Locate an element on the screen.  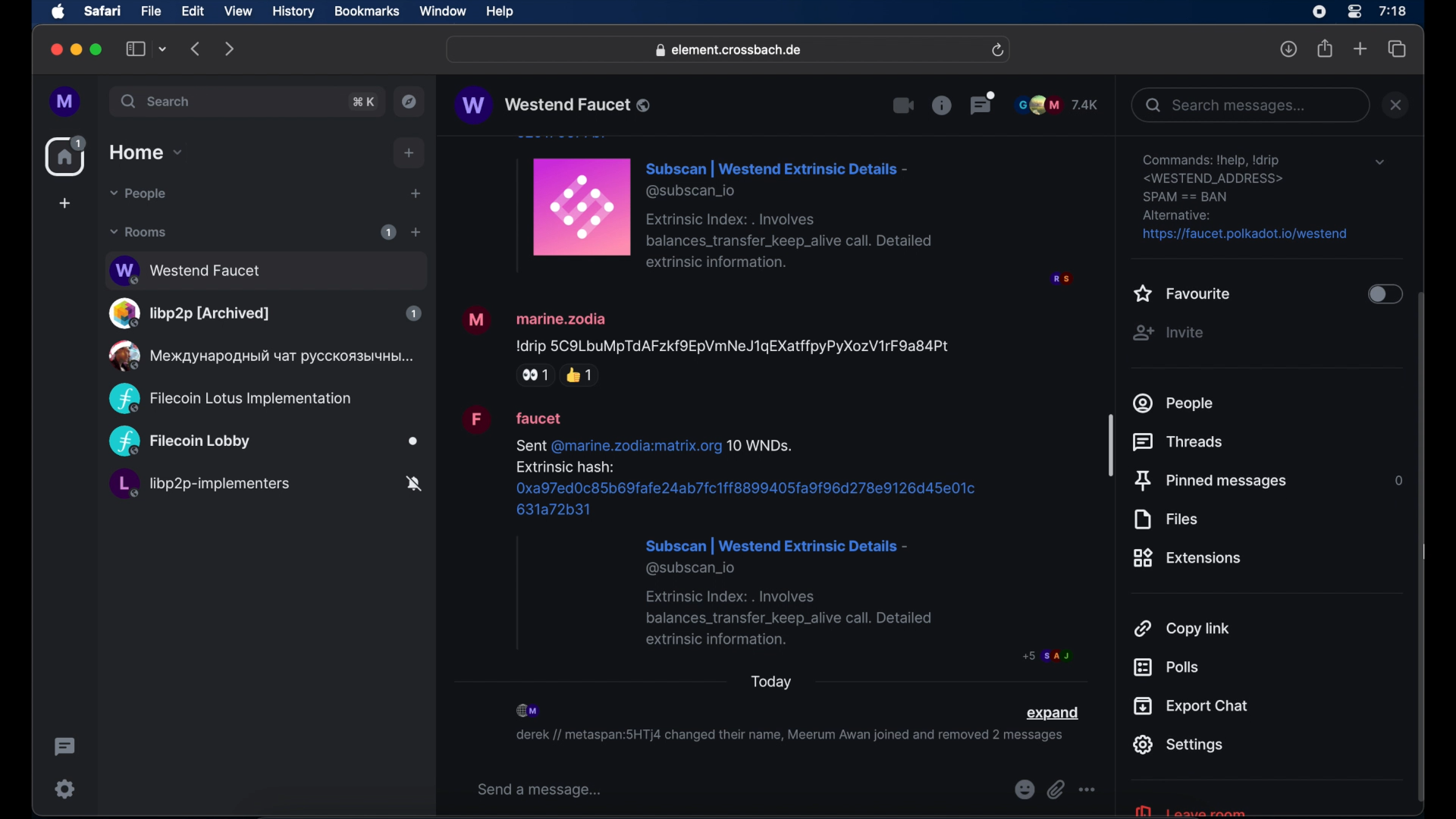
more options is located at coordinates (1087, 790).